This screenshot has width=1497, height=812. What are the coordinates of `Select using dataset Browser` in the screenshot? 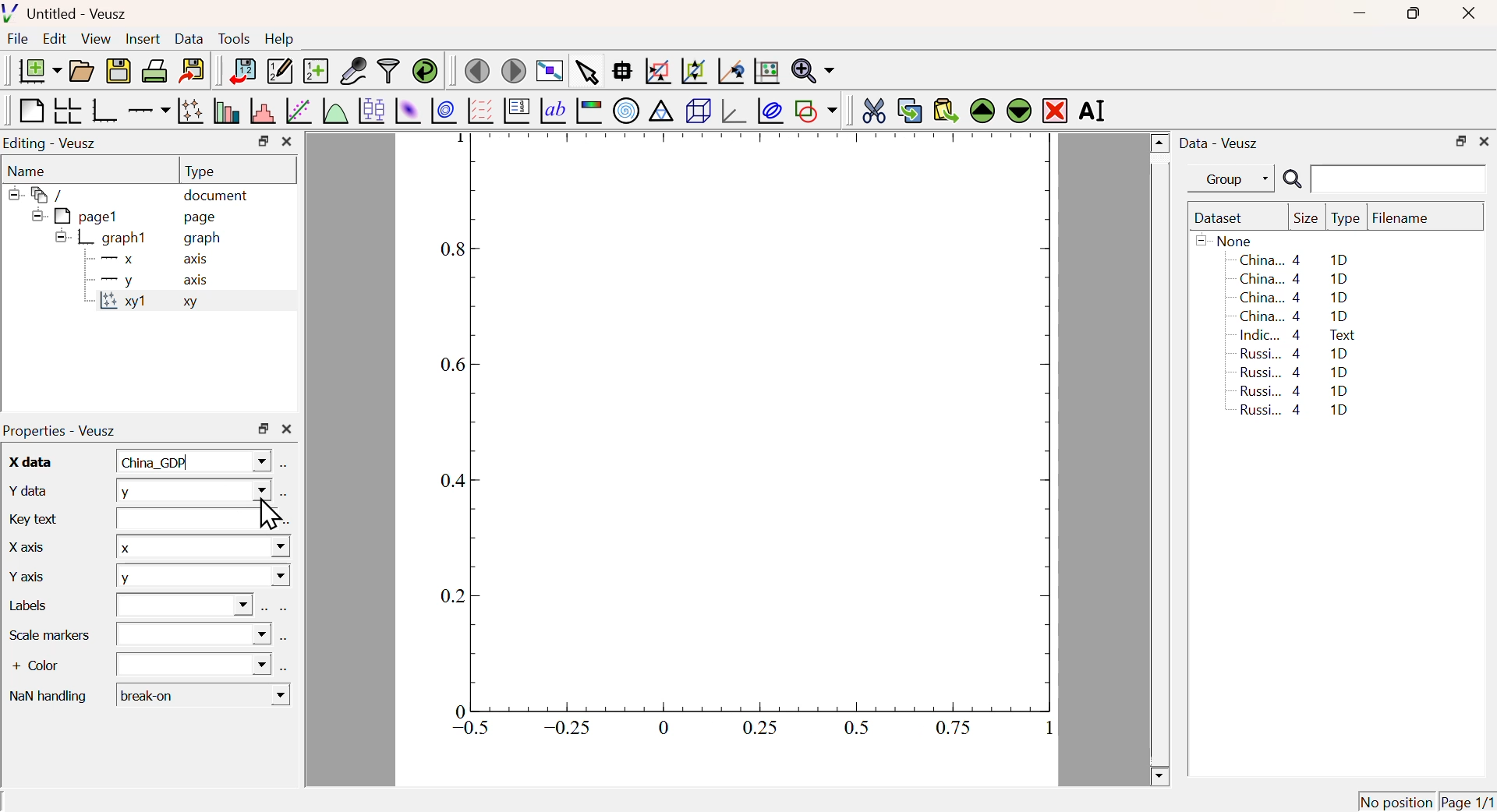 It's located at (282, 610).